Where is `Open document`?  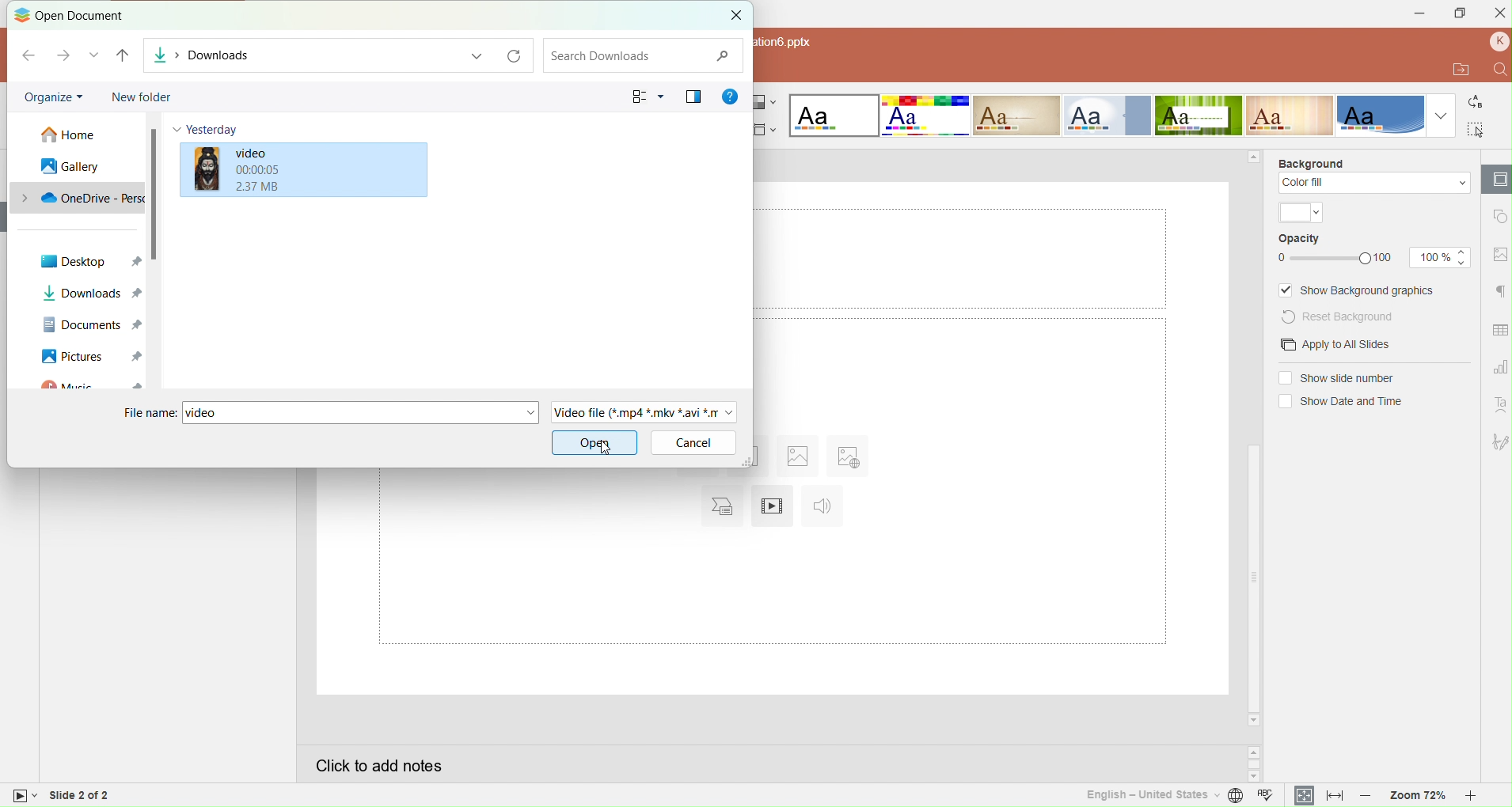 Open document is located at coordinates (78, 15).